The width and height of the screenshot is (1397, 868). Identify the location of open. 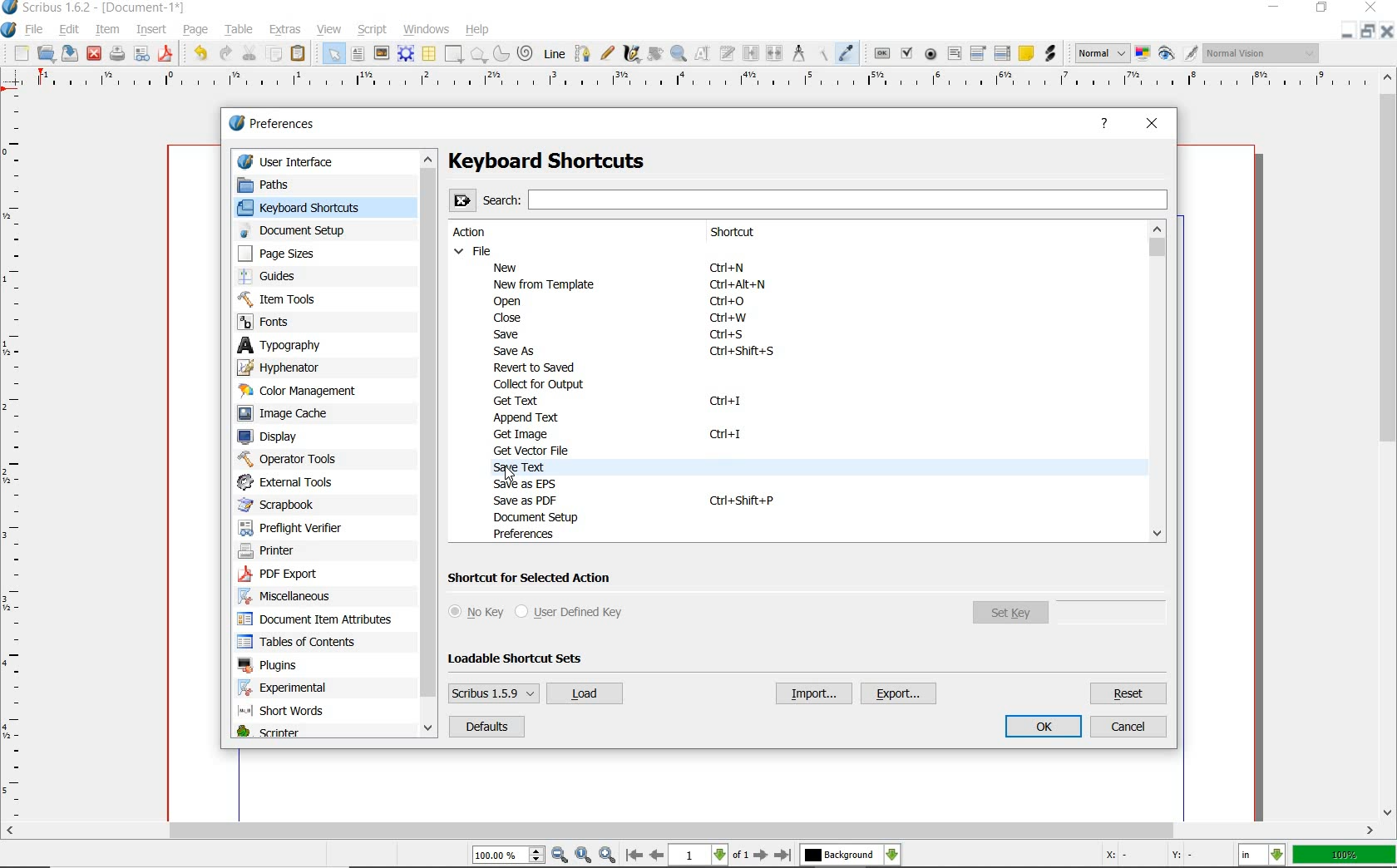
(513, 302).